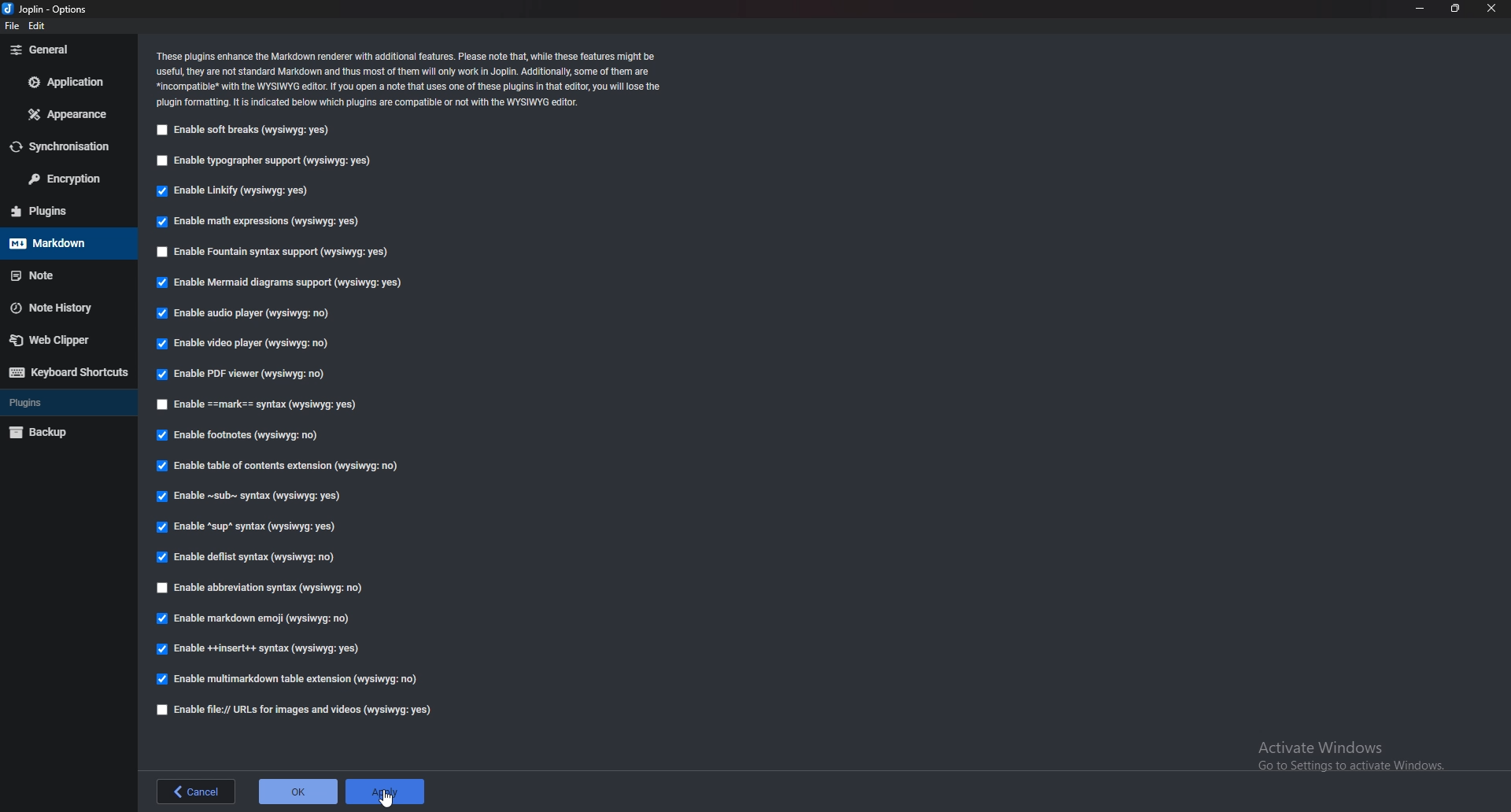  I want to click on Minimize, so click(1420, 9).